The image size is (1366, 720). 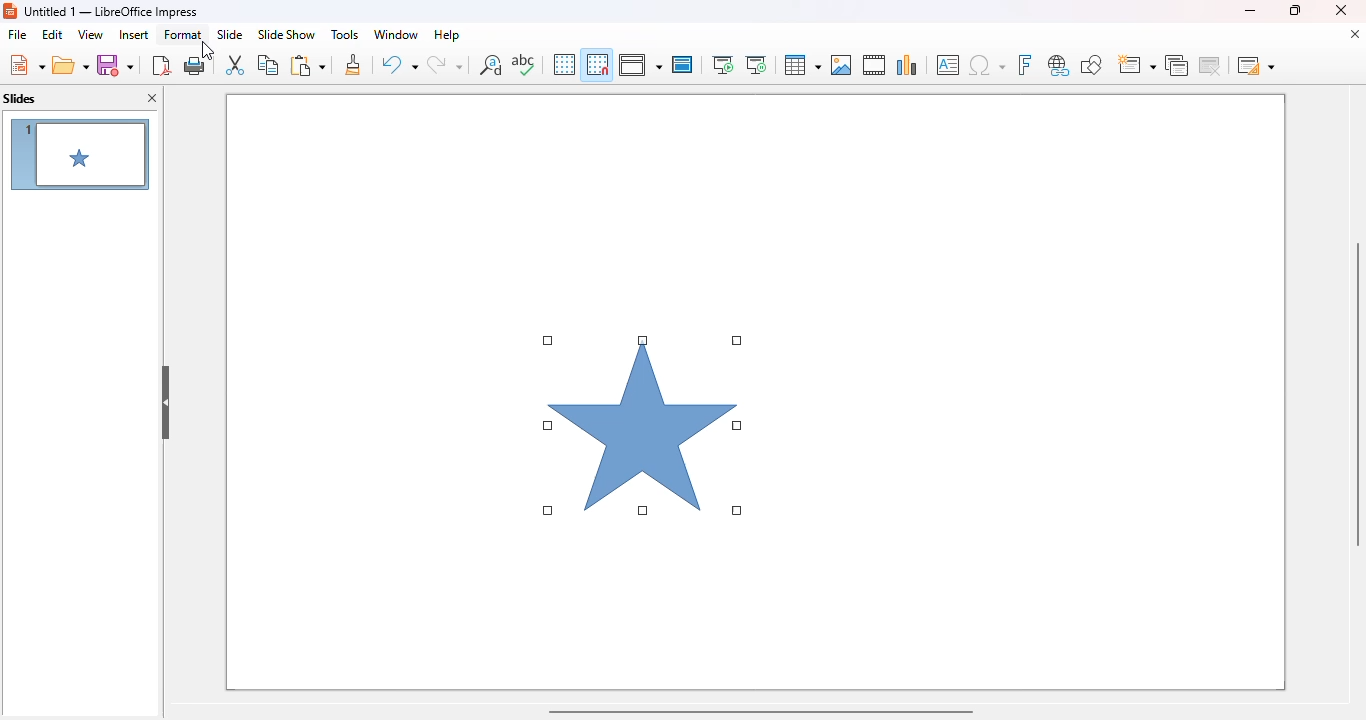 I want to click on help, so click(x=447, y=34).